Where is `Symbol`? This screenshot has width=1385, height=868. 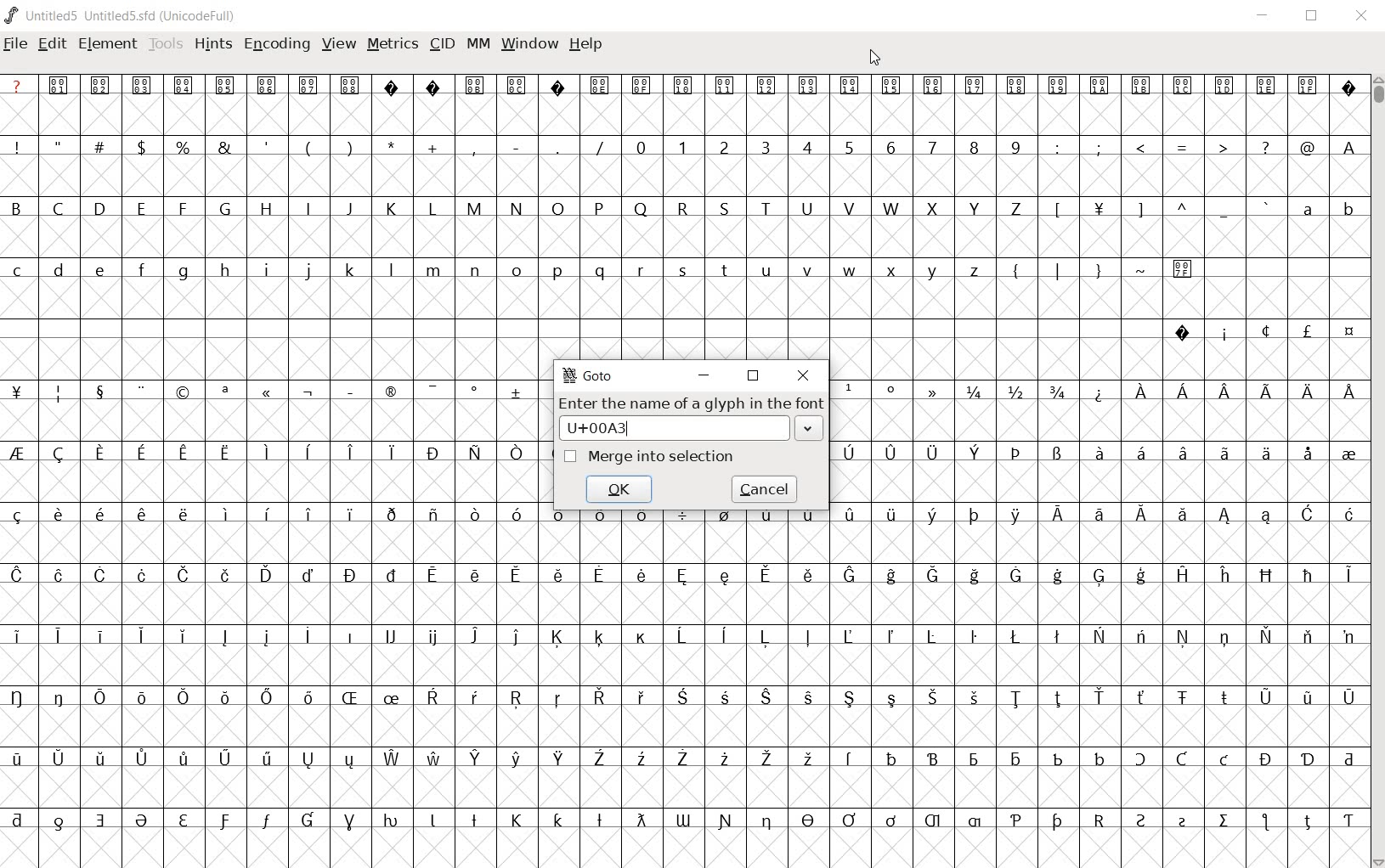 Symbol is located at coordinates (1309, 87).